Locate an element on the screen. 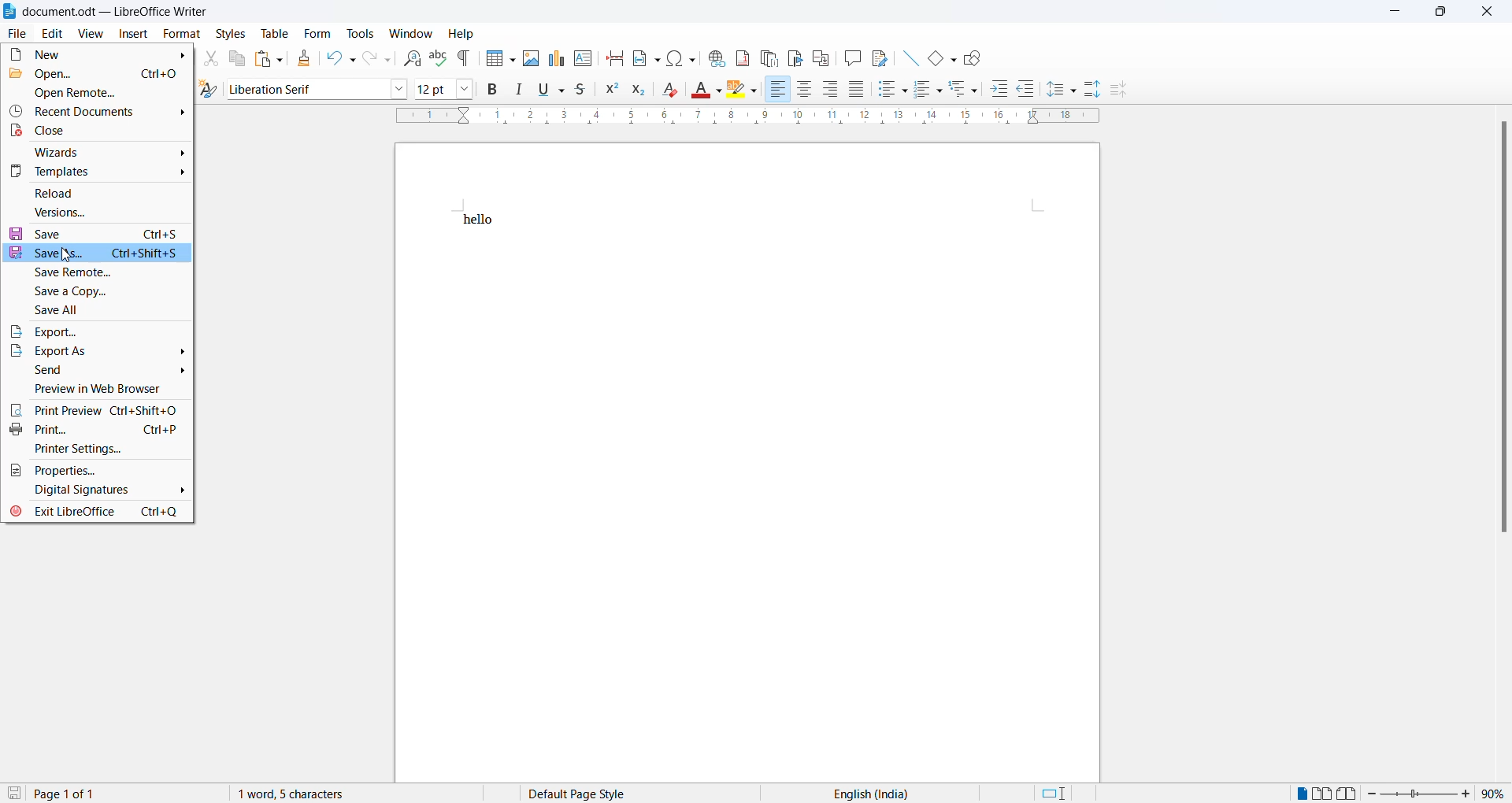 Image resolution: width=1512 pixels, height=803 pixels. Decrease paragraph space is located at coordinates (1123, 91).